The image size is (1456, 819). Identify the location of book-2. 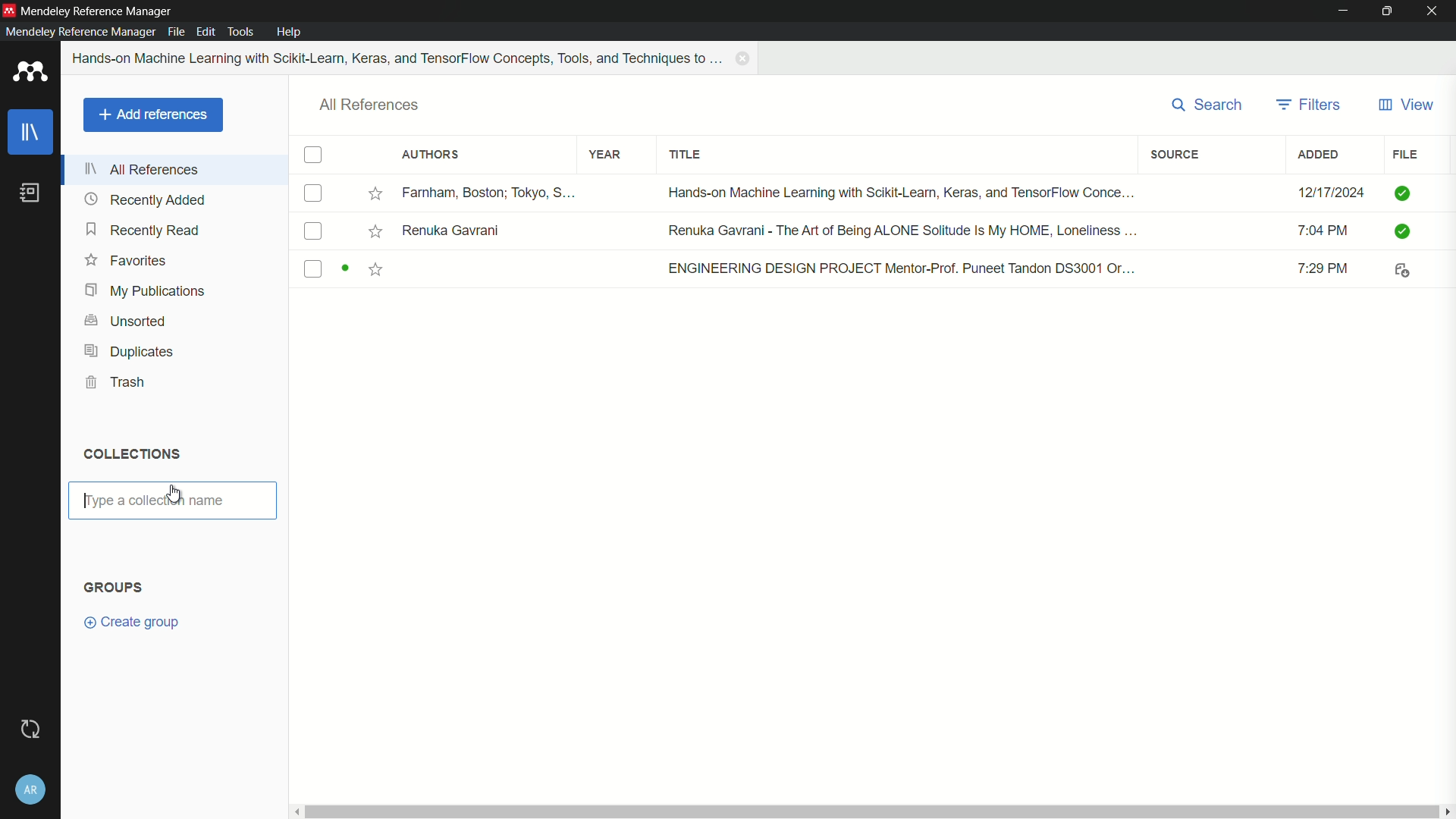
(866, 231).